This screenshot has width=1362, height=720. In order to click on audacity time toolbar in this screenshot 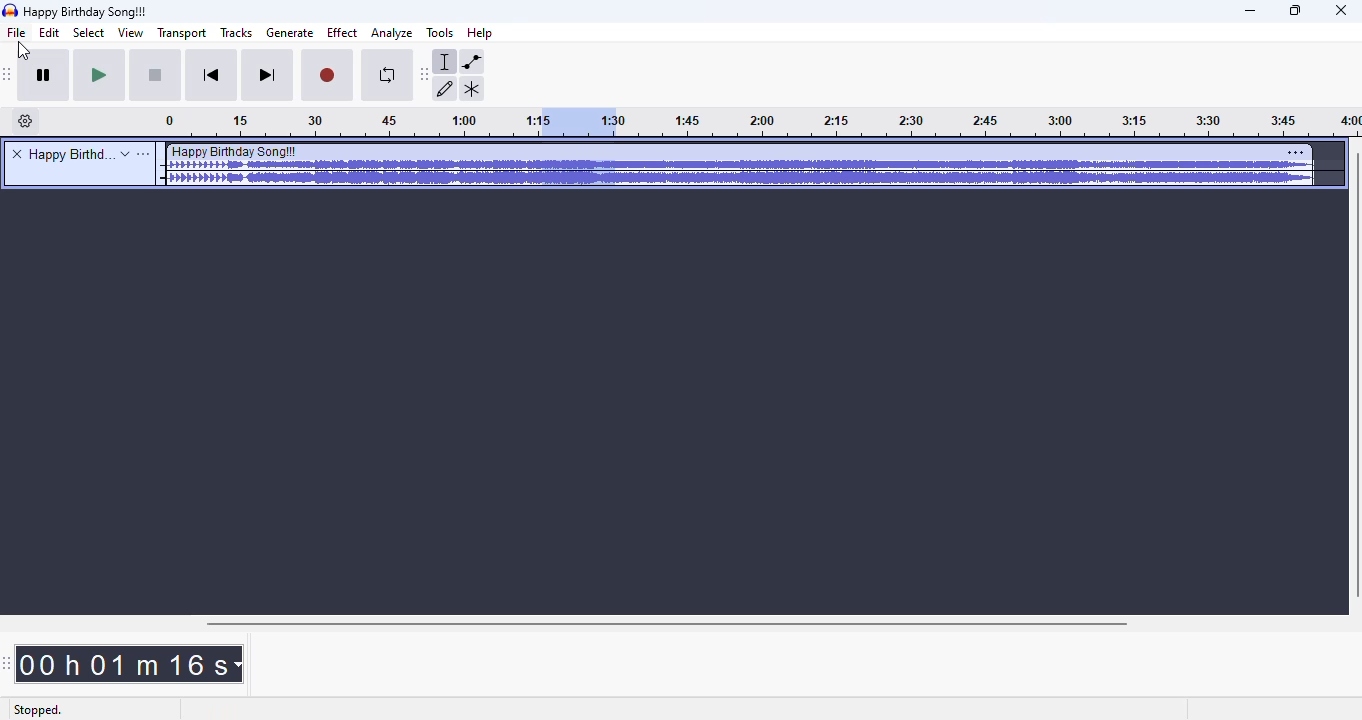, I will do `click(7, 664)`.